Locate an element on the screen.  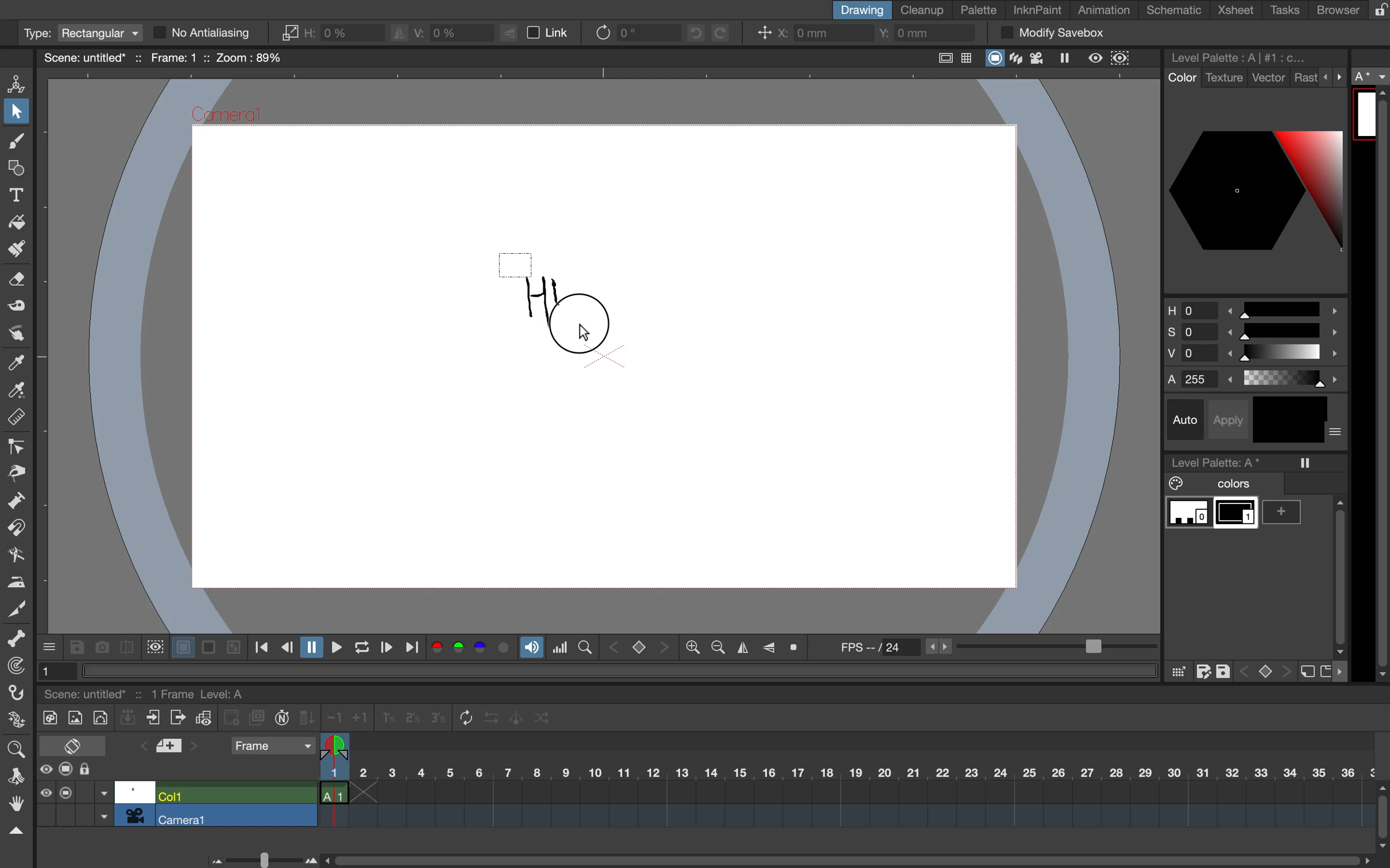
field guide is located at coordinates (967, 59).